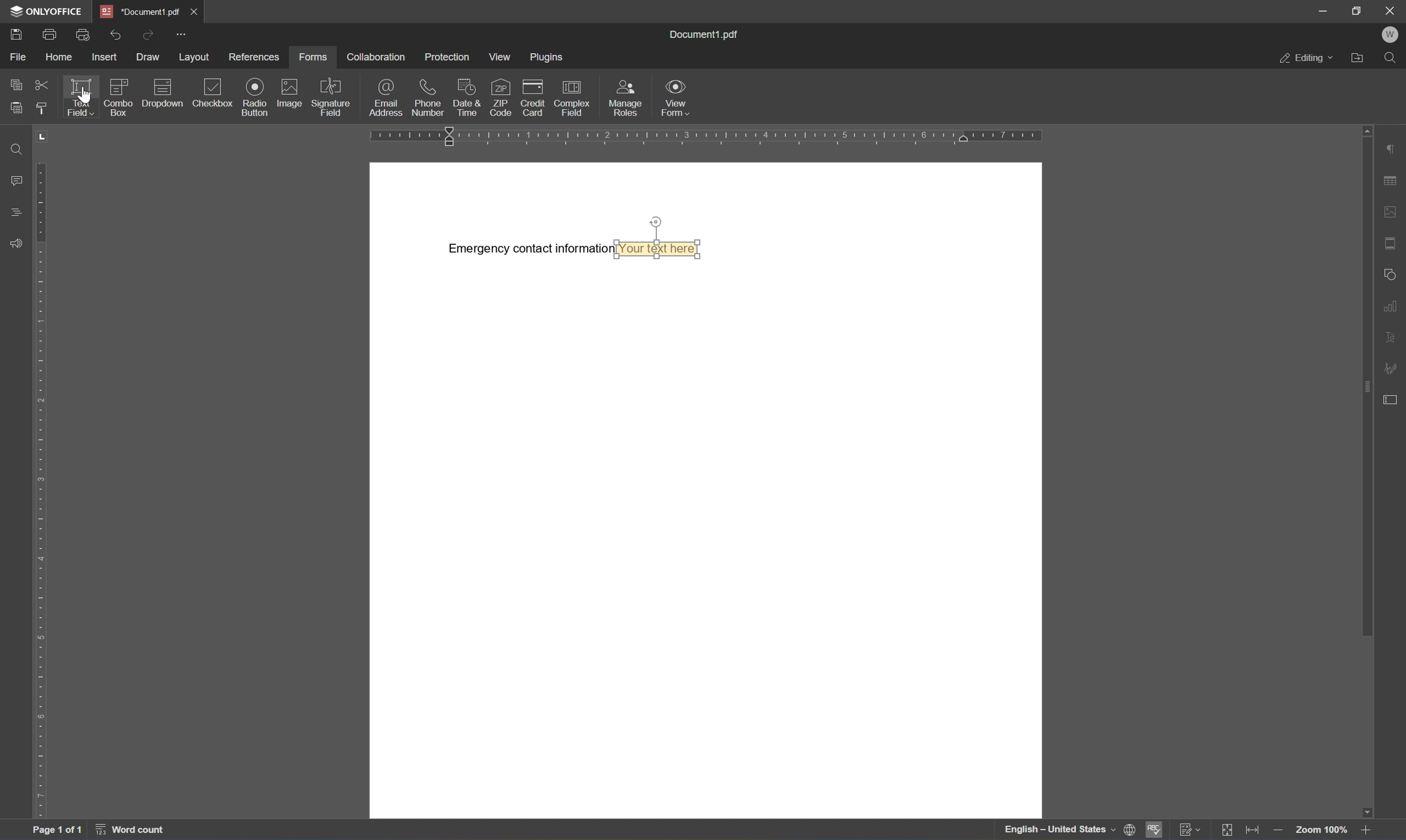 This screenshot has height=840, width=1406. What do you see at coordinates (383, 97) in the screenshot?
I see `email address` at bounding box center [383, 97].